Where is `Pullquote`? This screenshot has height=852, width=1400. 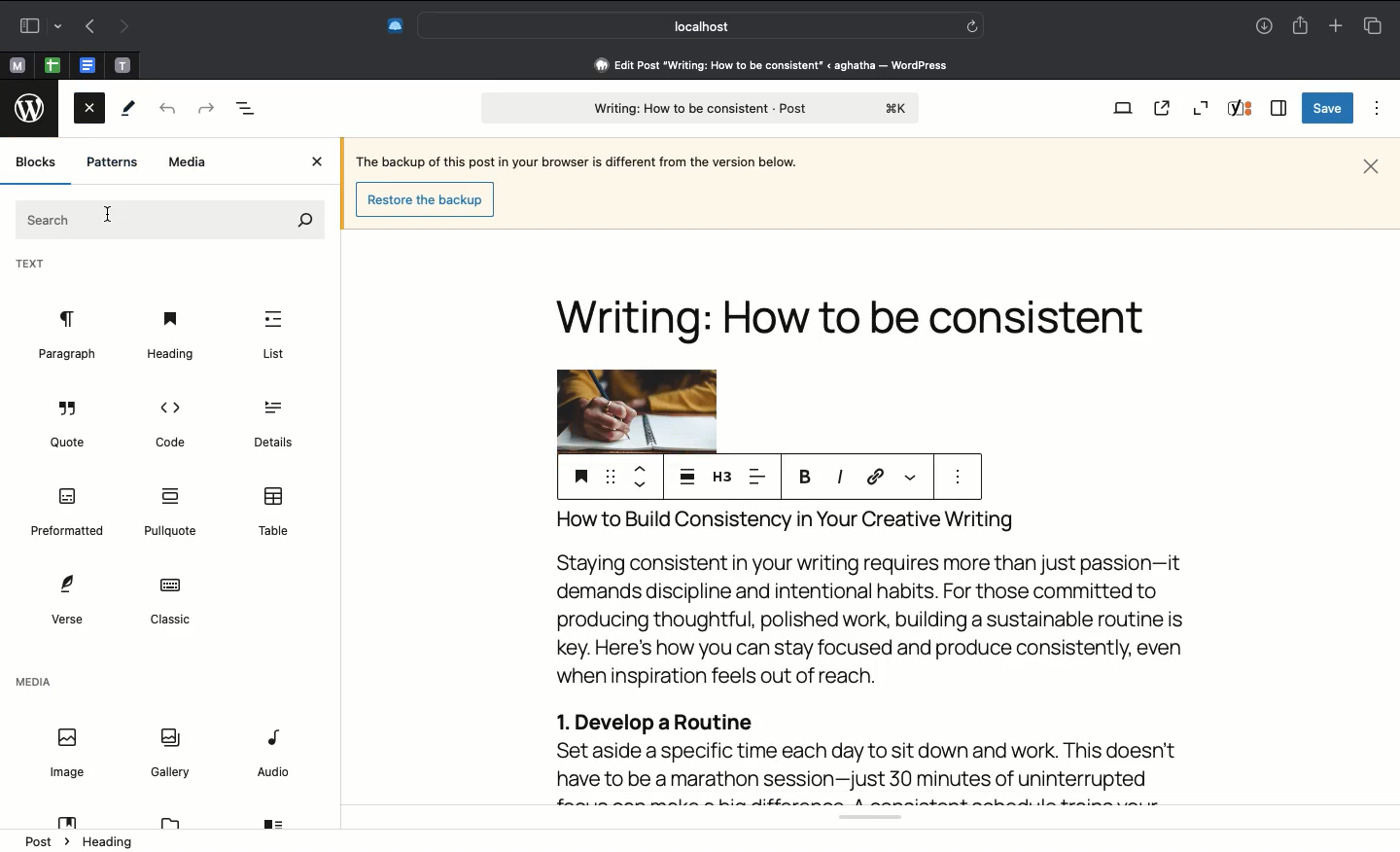 Pullquote is located at coordinates (174, 513).